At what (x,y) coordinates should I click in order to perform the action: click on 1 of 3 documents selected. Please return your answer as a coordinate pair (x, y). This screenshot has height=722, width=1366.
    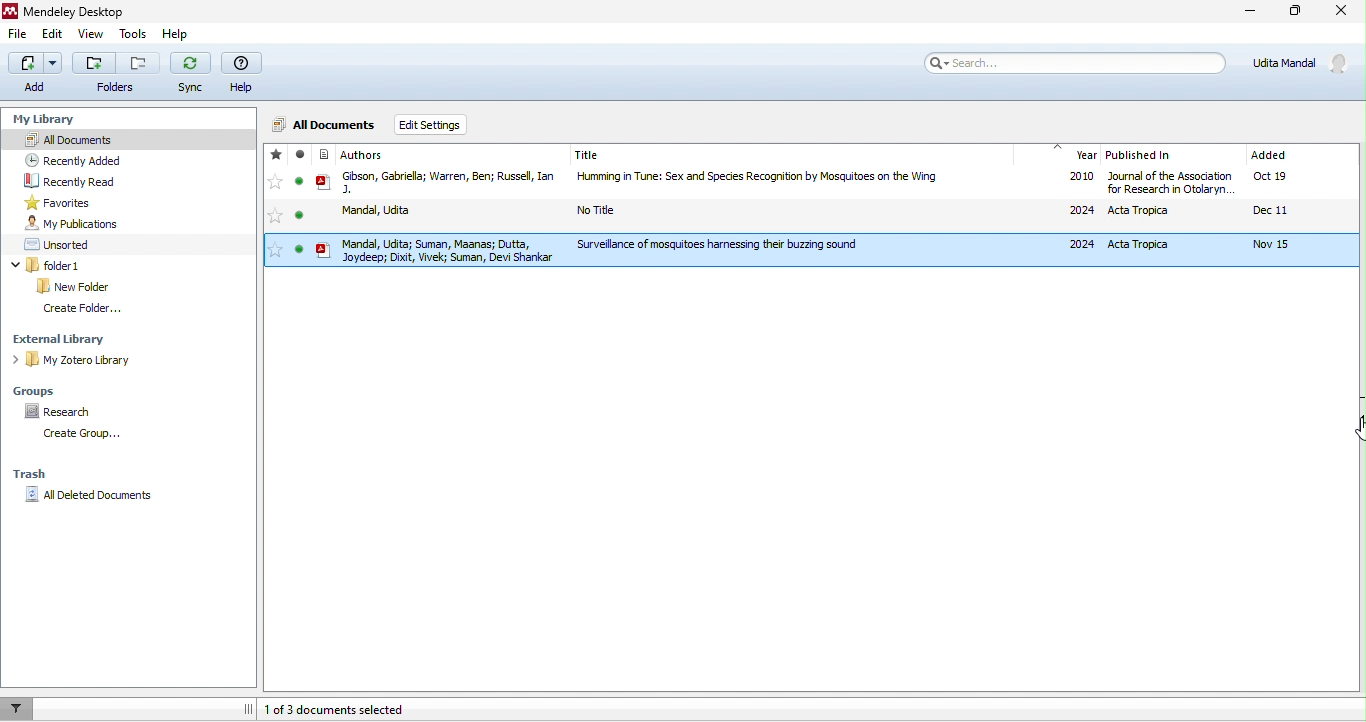
    Looking at the image, I should click on (359, 710).